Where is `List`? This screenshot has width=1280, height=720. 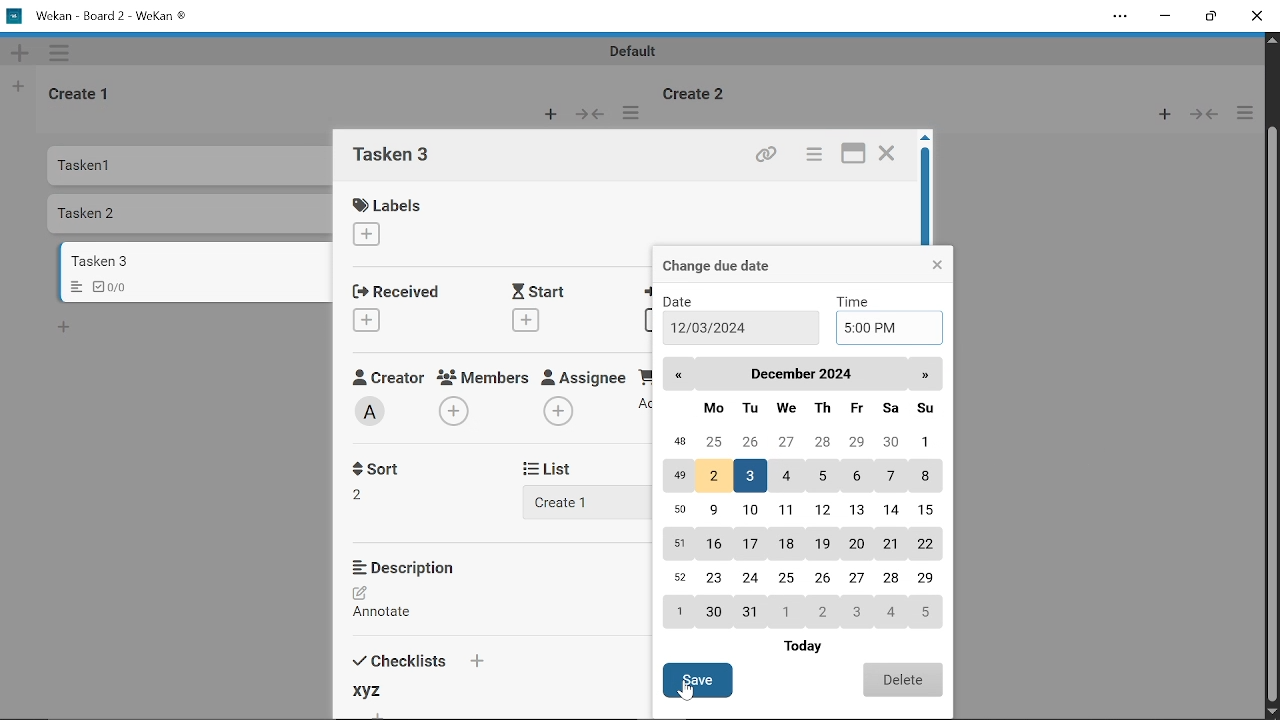
List is located at coordinates (560, 468).